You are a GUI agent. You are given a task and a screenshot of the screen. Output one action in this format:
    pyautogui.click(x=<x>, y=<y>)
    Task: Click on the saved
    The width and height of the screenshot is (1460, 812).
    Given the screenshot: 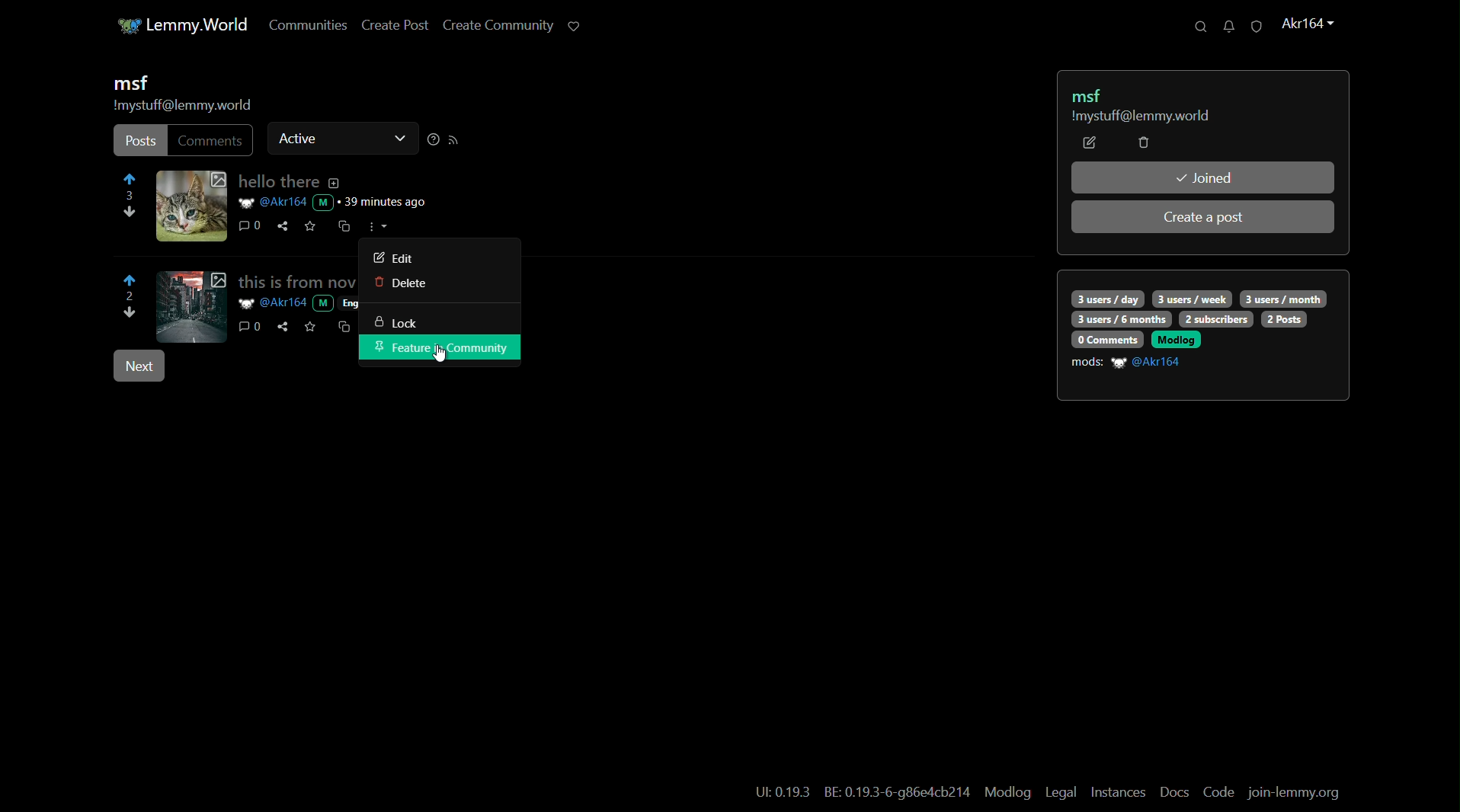 What is the action you would take?
    pyautogui.click(x=311, y=225)
    